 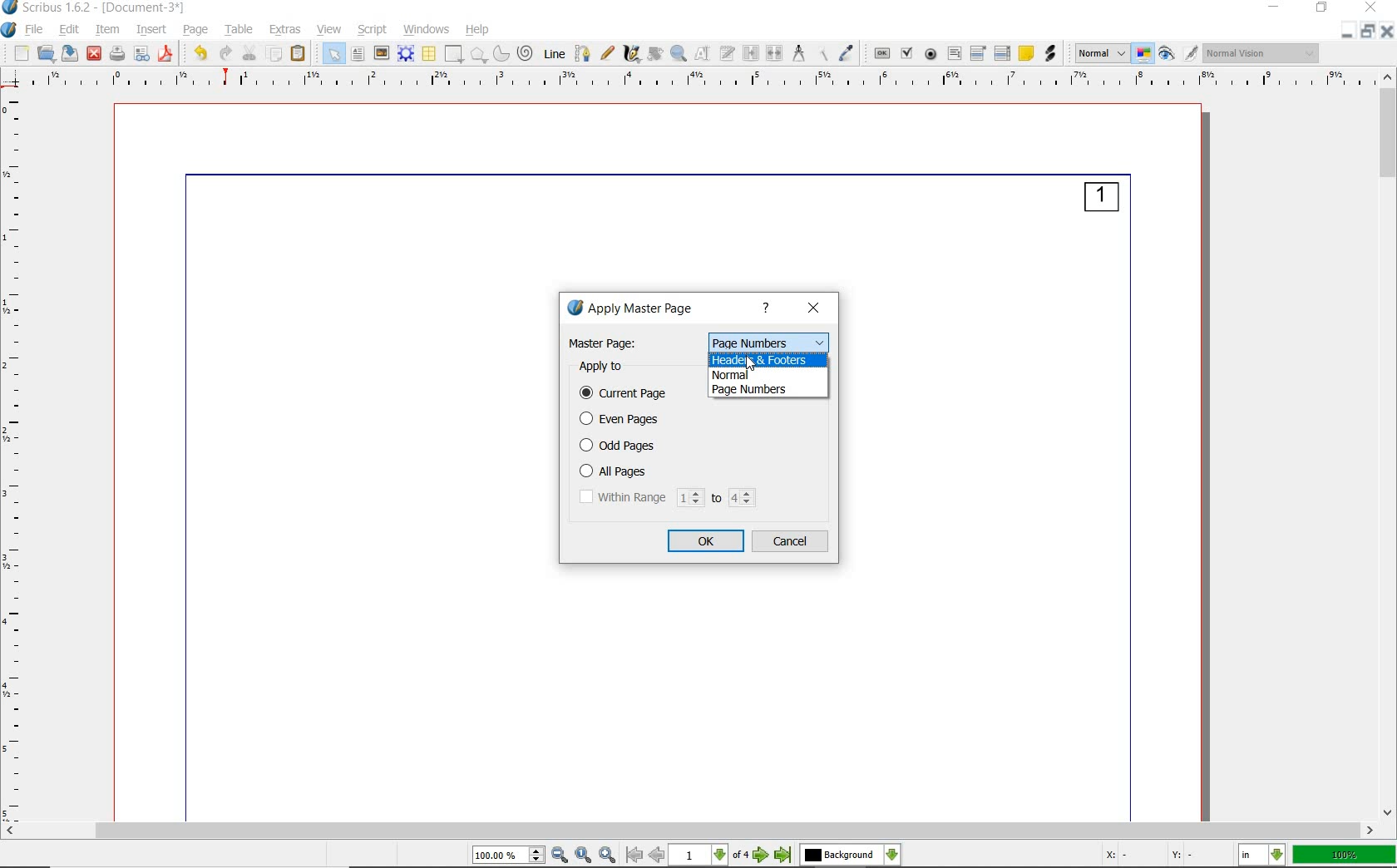 I want to click on arc, so click(x=503, y=54).